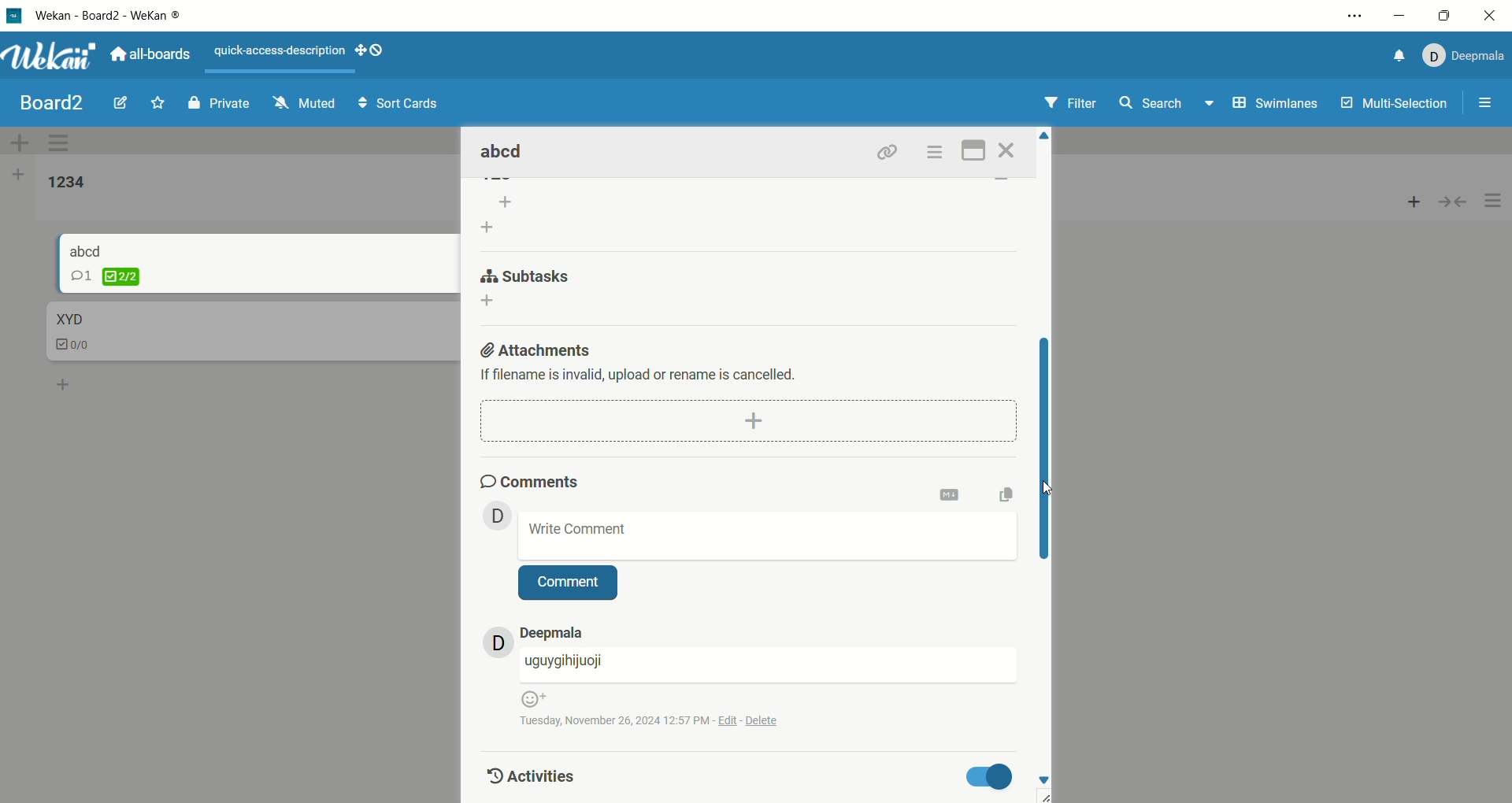  Describe the element at coordinates (569, 583) in the screenshot. I see `comment` at that location.